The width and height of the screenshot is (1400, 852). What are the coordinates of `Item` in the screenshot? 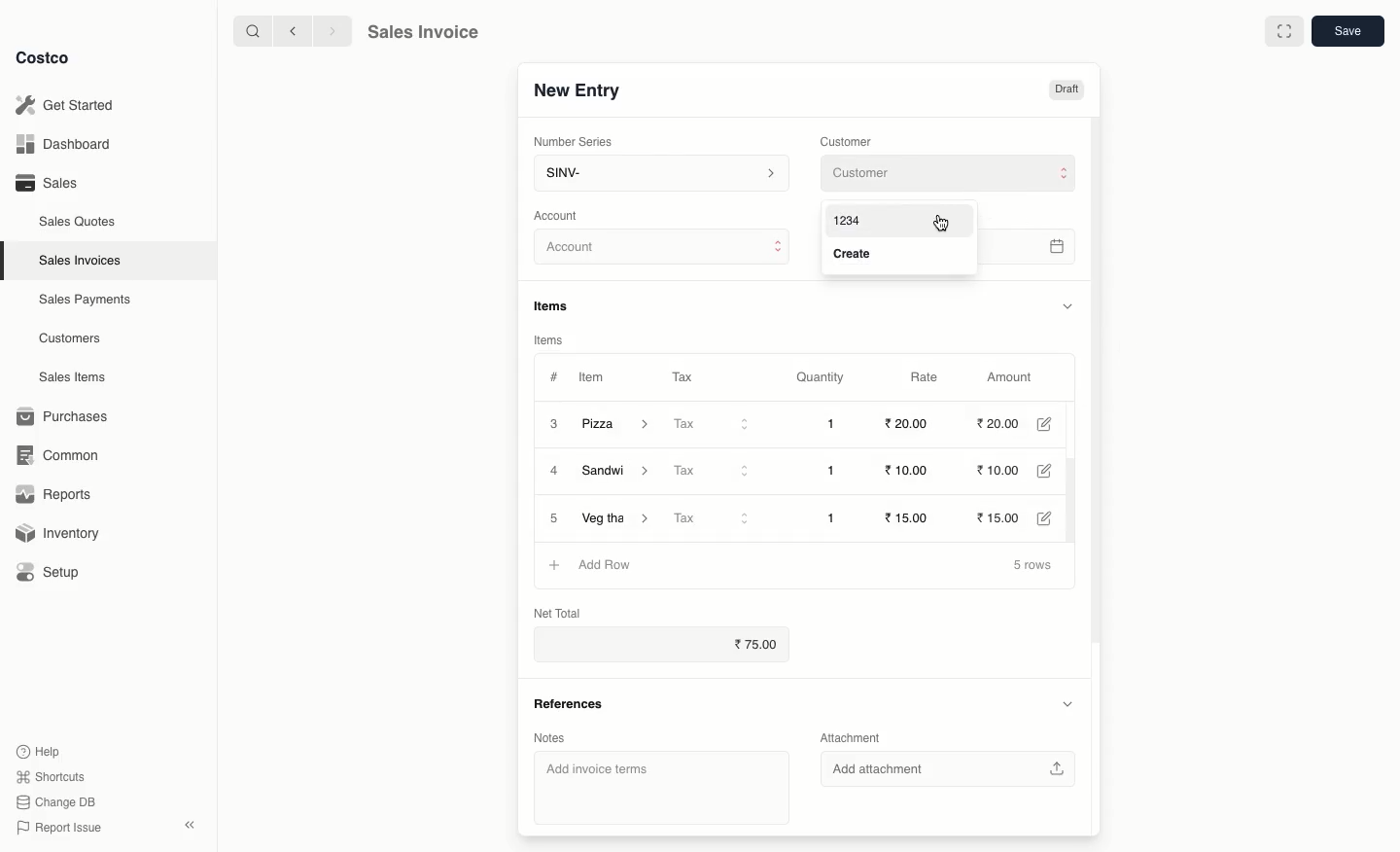 It's located at (594, 379).